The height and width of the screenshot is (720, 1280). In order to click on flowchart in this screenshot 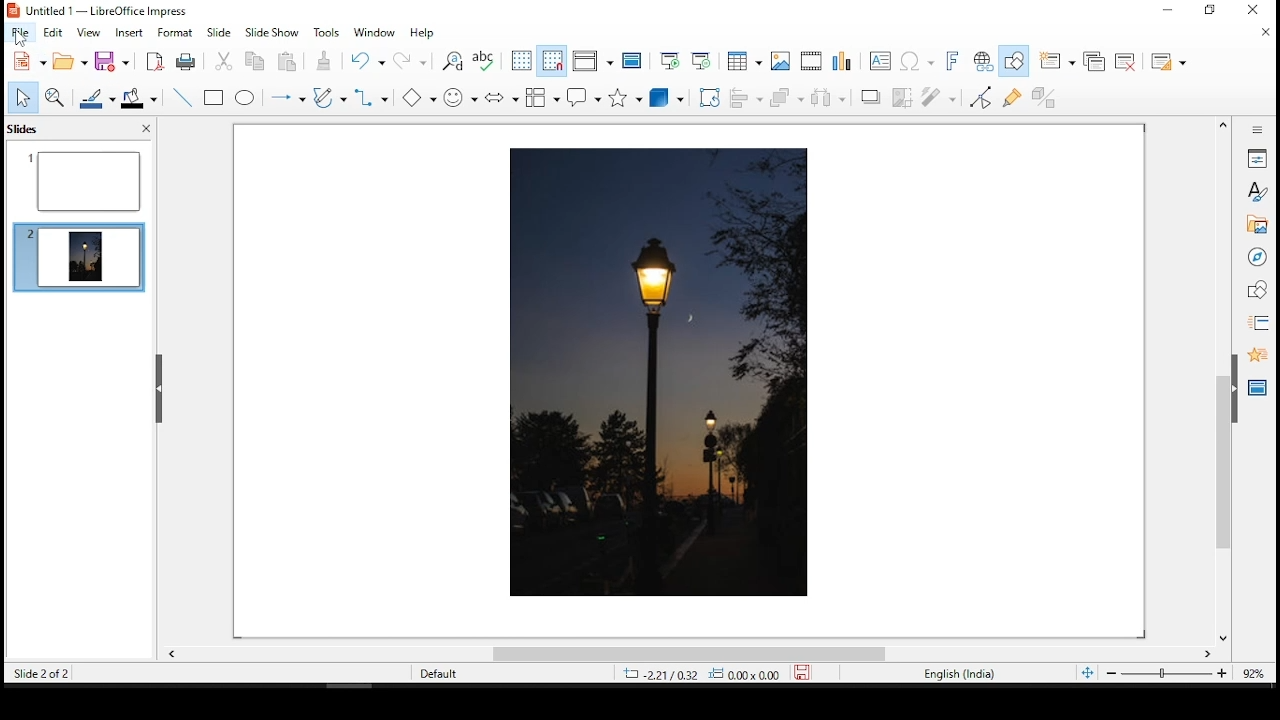, I will do `click(543, 97)`.